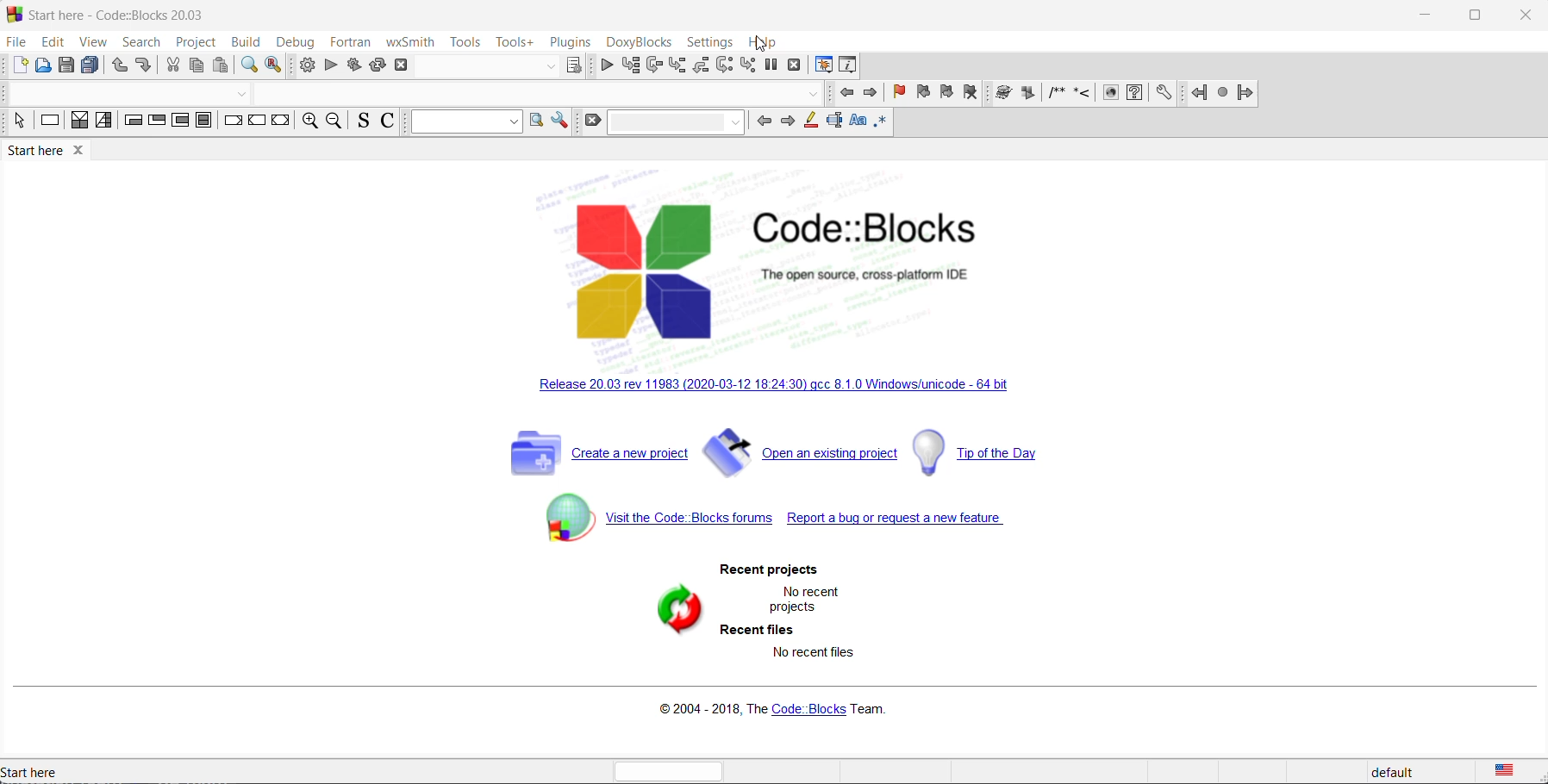  Describe the element at coordinates (808, 270) in the screenshot. I see `logo` at that location.